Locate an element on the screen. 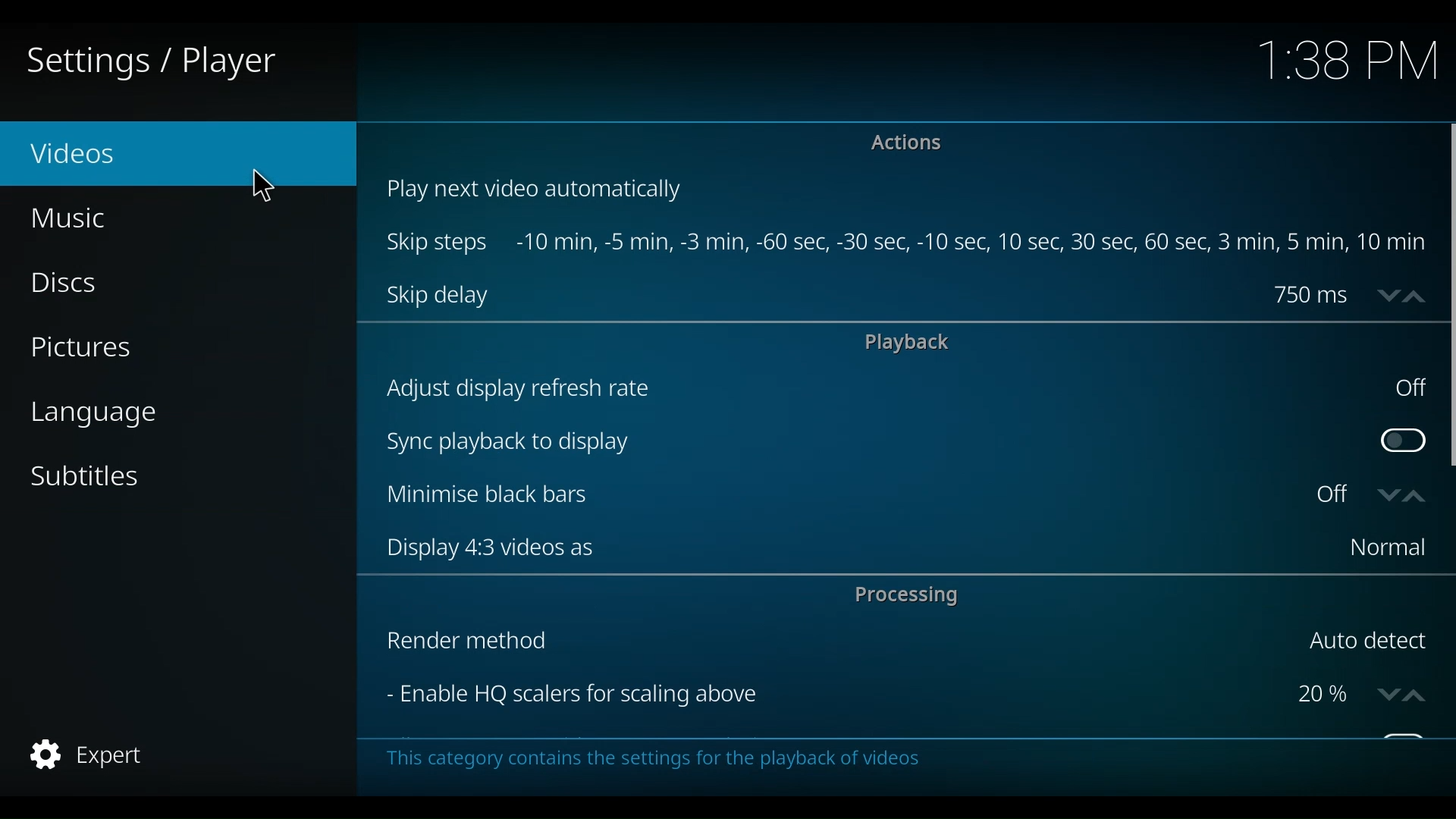  Render method is located at coordinates (830, 642).